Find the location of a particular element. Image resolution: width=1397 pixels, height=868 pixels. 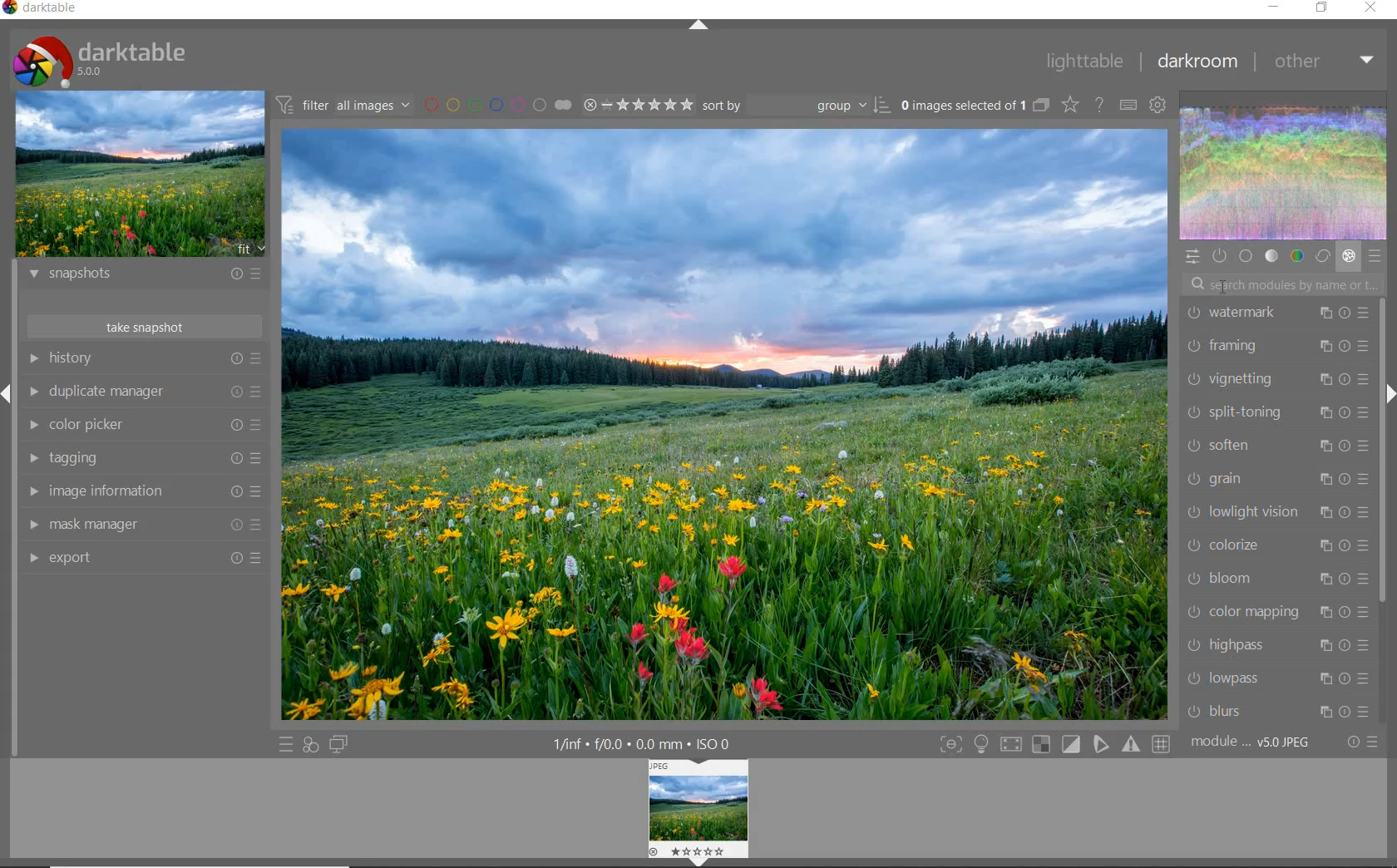

quick access to presets is located at coordinates (285, 745).